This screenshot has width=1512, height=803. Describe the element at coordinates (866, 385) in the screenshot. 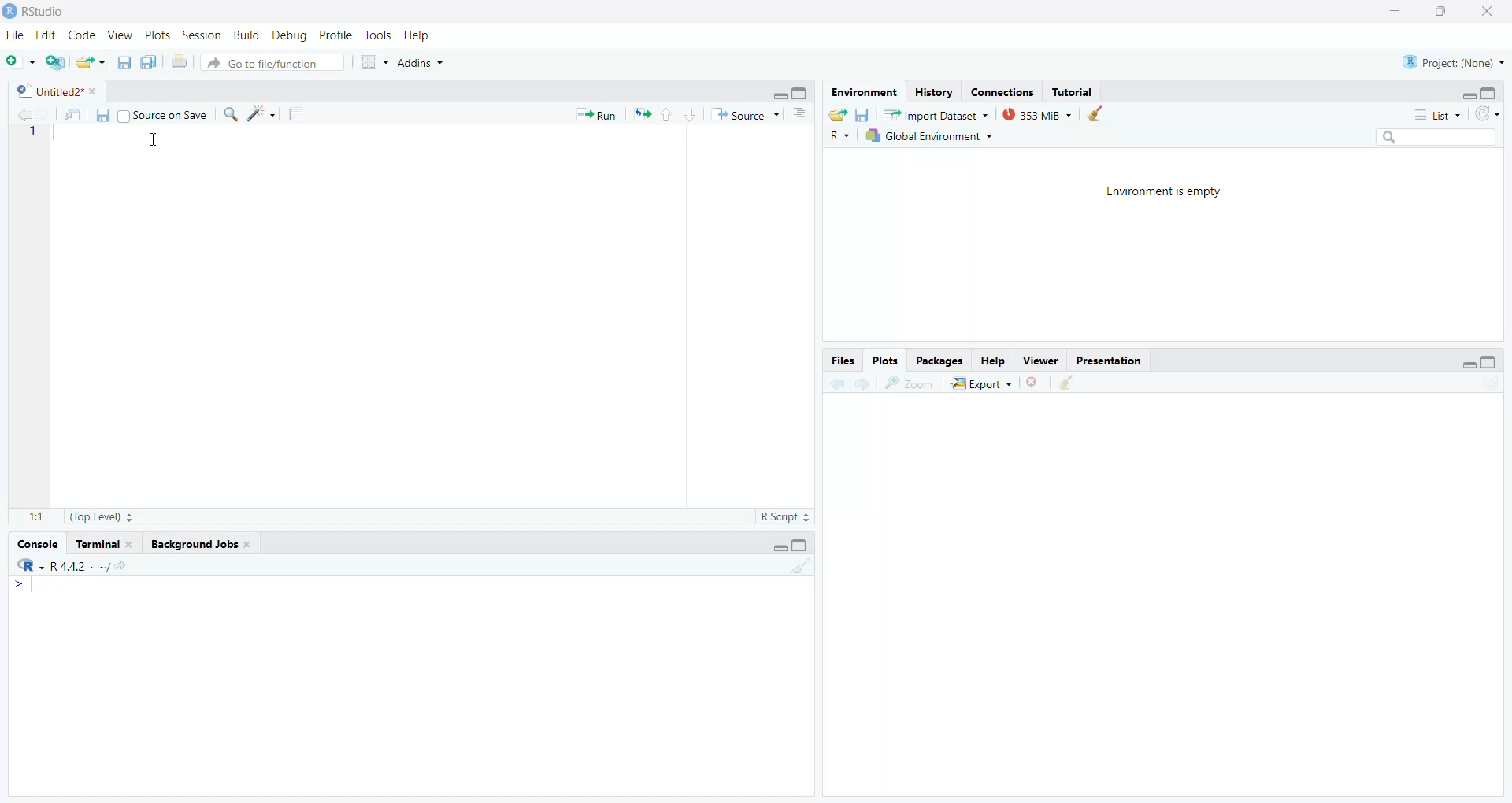

I see `go forward` at that location.